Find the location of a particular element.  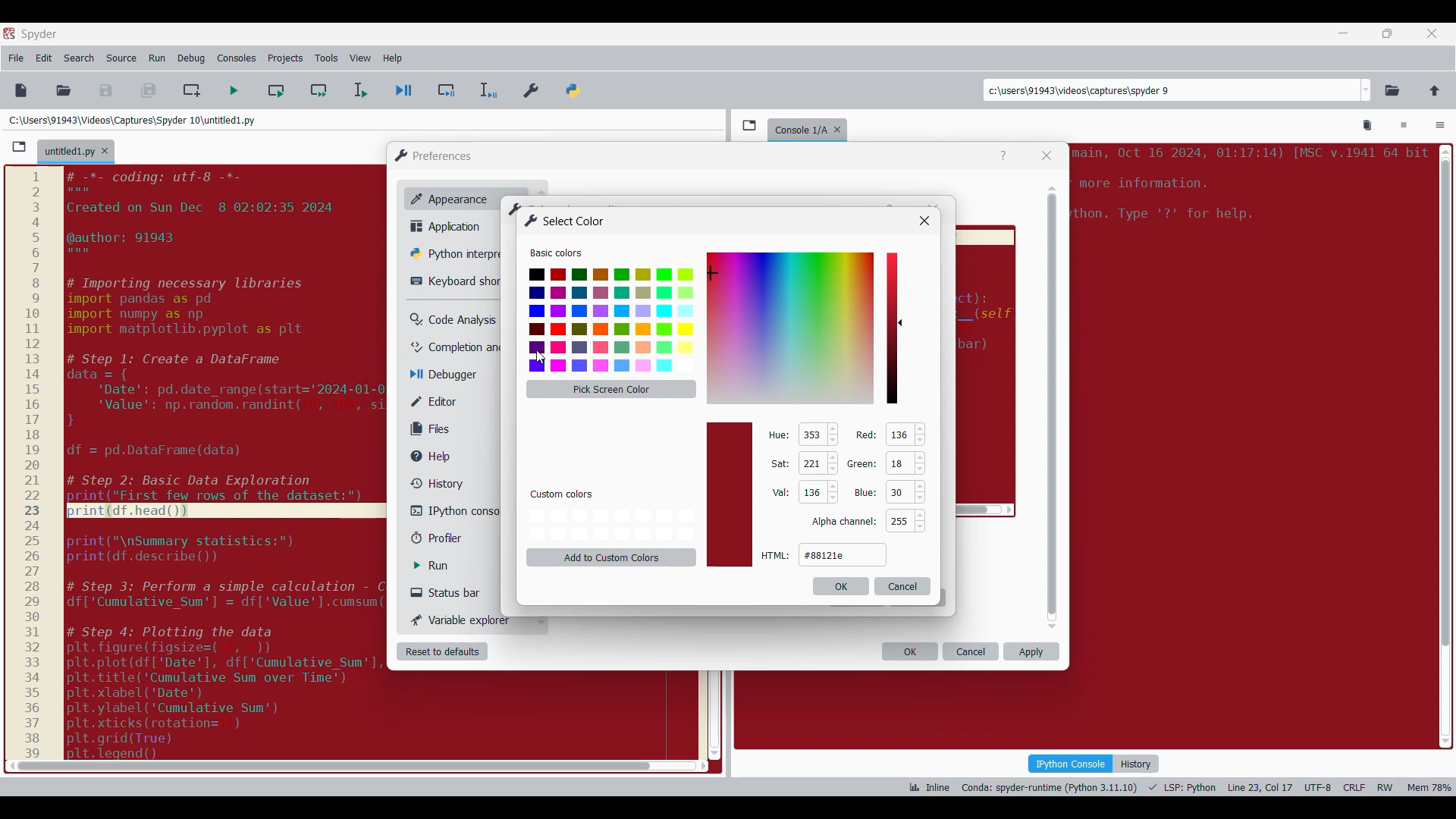

Indicates text box to input color code is located at coordinates (776, 555).